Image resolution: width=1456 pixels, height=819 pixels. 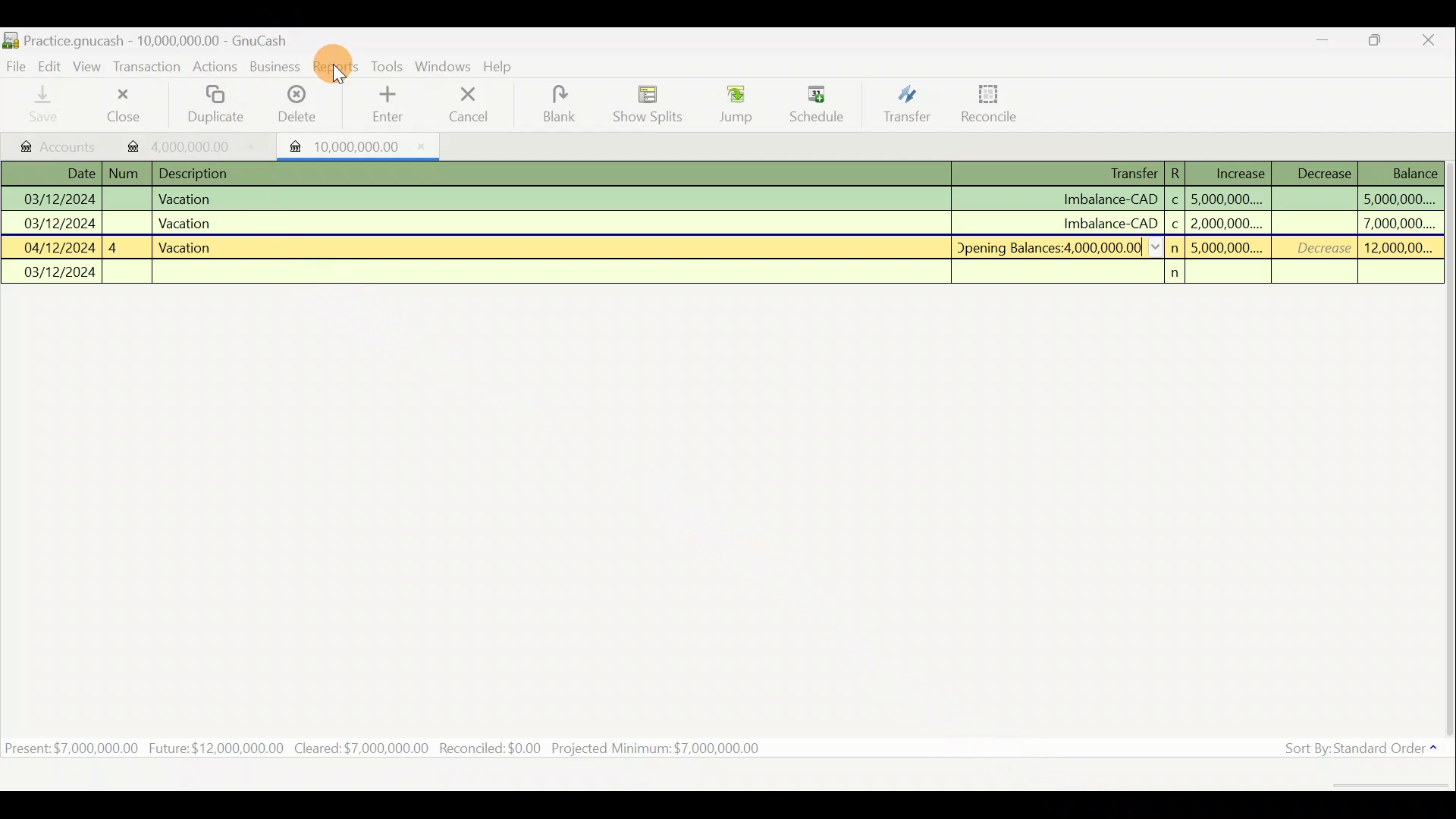 I want to click on Reconcile, so click(x=996, y=105).